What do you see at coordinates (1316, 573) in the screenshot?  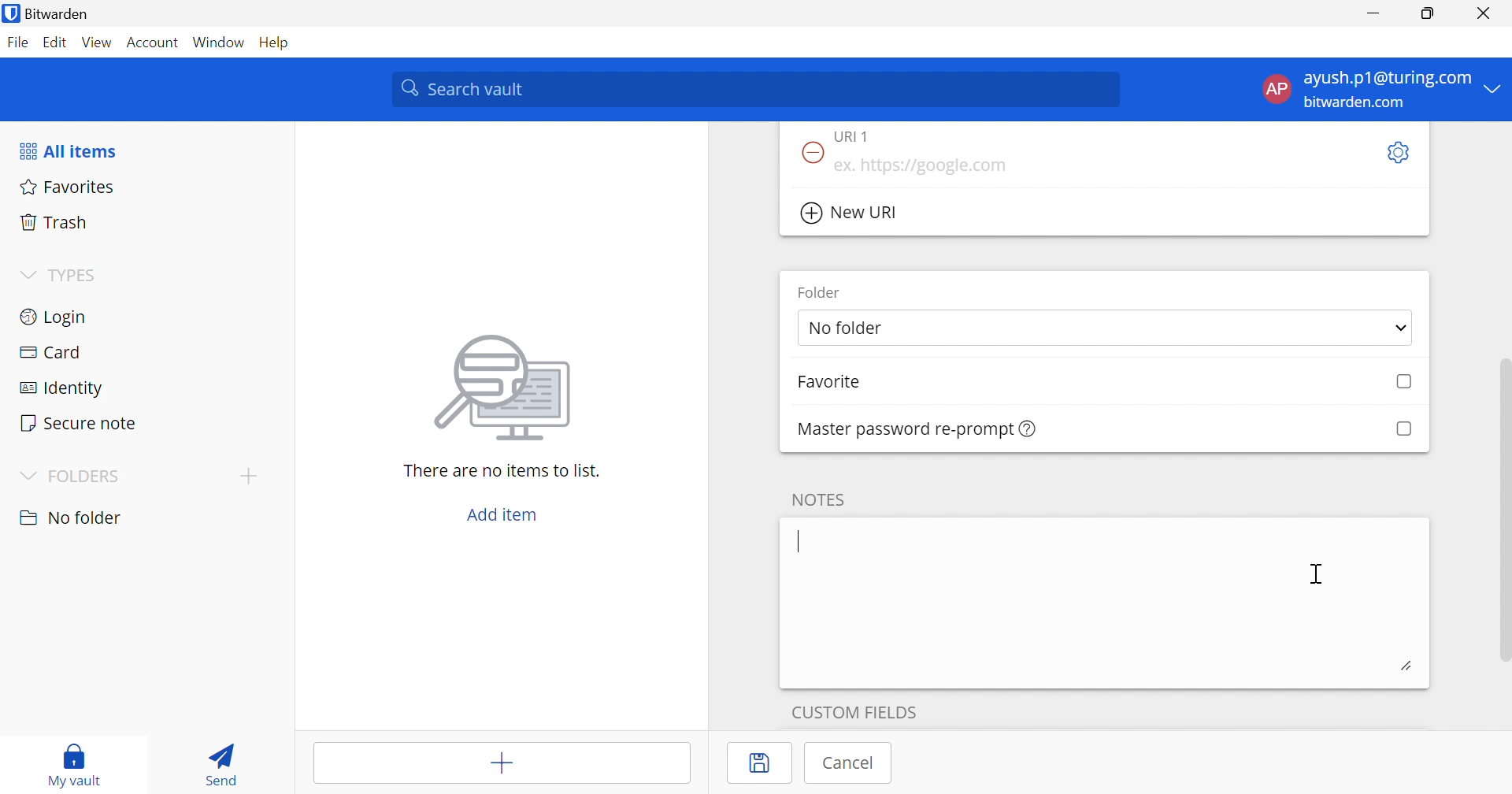 I see `` at bounding box center [1316, 573].